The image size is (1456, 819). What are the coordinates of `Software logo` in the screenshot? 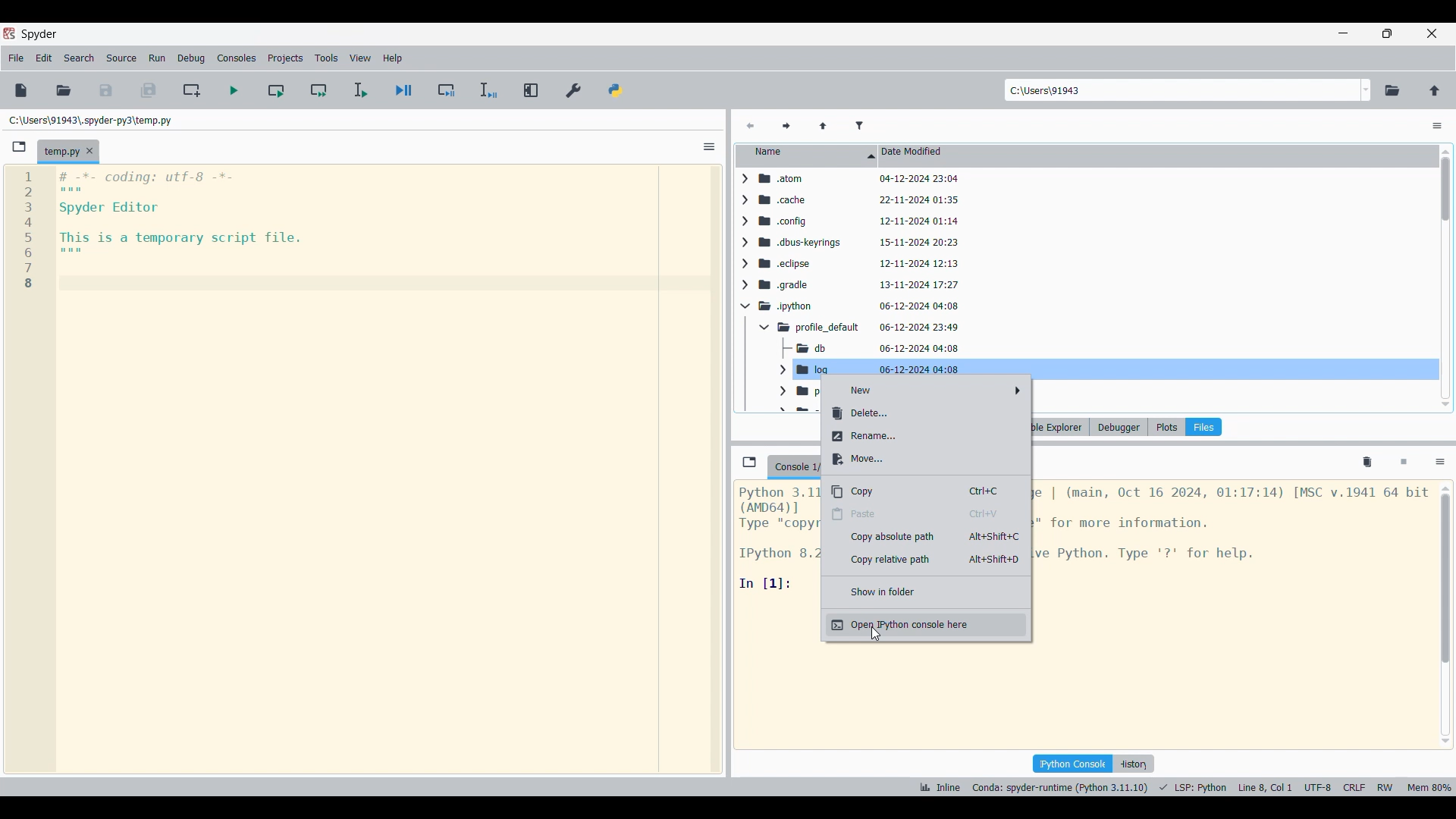 It's located at (9, 33).